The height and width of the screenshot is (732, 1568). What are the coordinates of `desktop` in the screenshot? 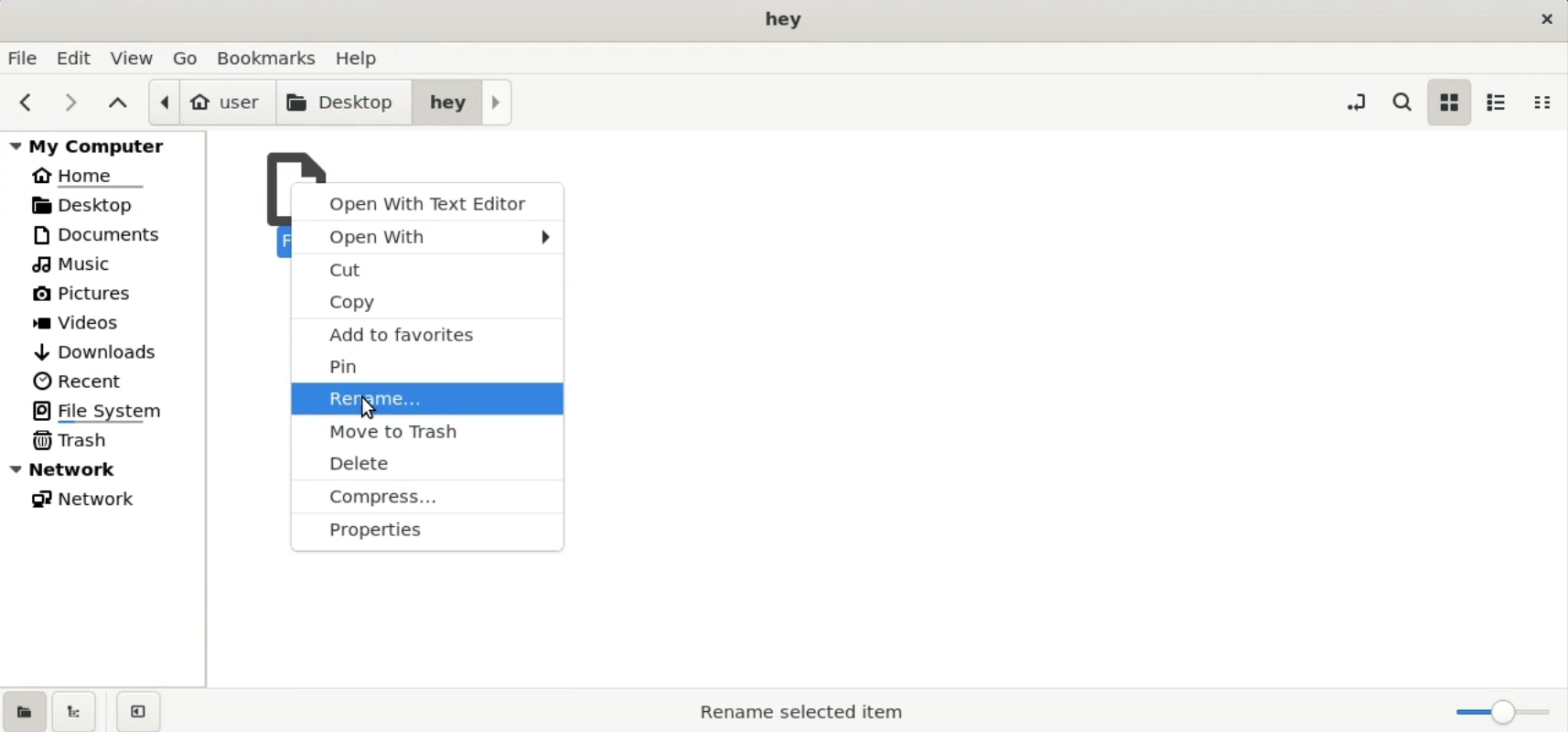 It's located at (346, 101).